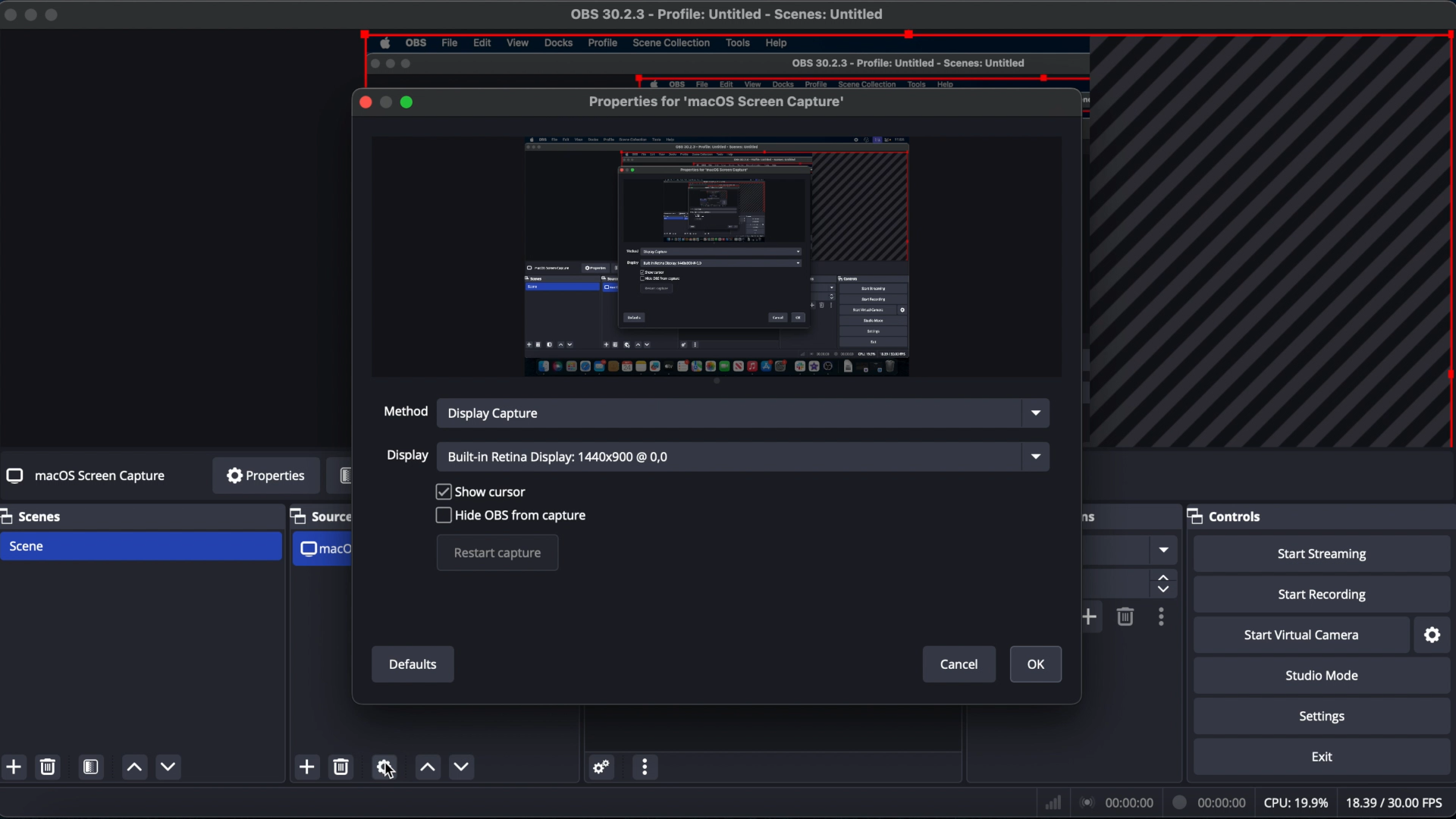 The height and width of the screenshot is (819, 1456). Describe the element at coordinates (590, 43) in the screenshot. I see ` File Edit View Docks Profile Scene Collection Tools Help` at that location.